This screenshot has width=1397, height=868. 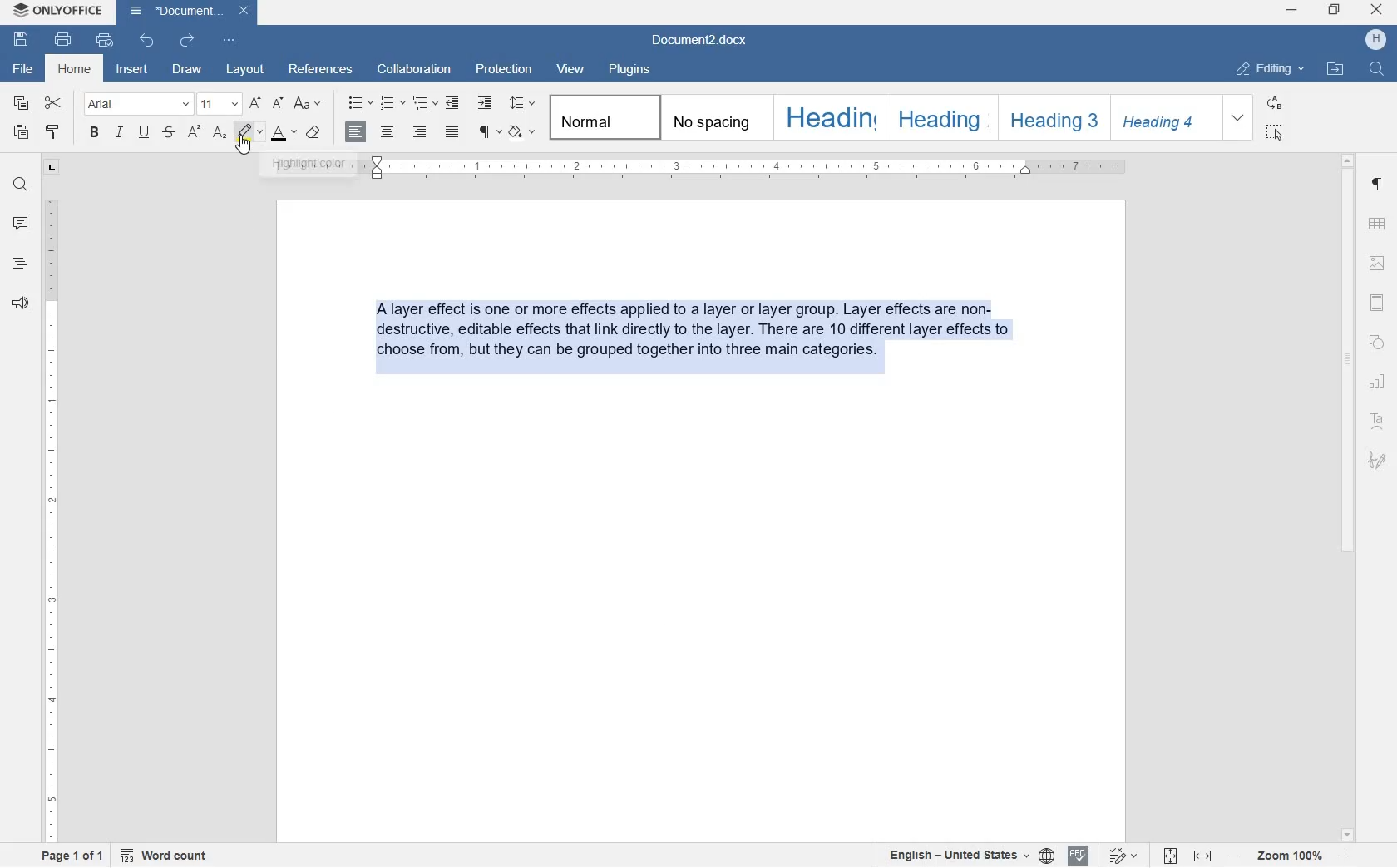 What do you see at coordinates (1378, 343) in the screenshot?
I see `shape` at bounding box center [1378, 343].